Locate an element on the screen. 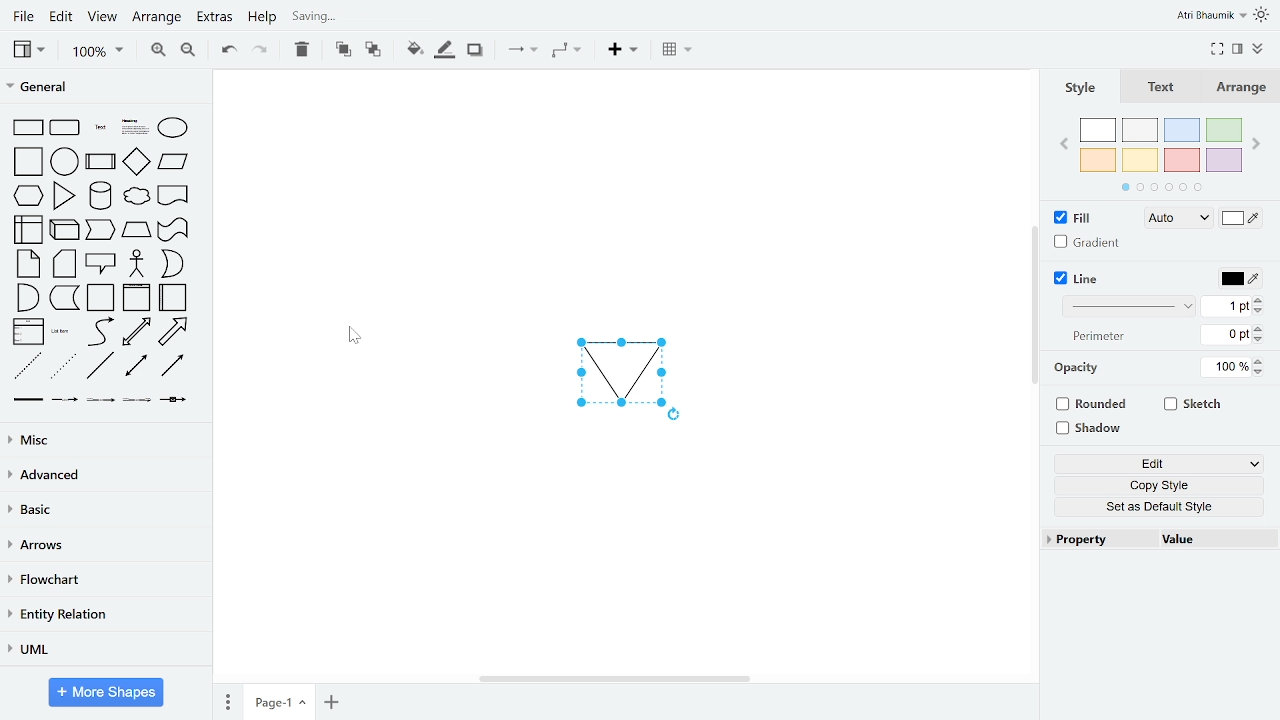 This screenshot has width=1280, height=720. to front is located at coordinates (341, 49).